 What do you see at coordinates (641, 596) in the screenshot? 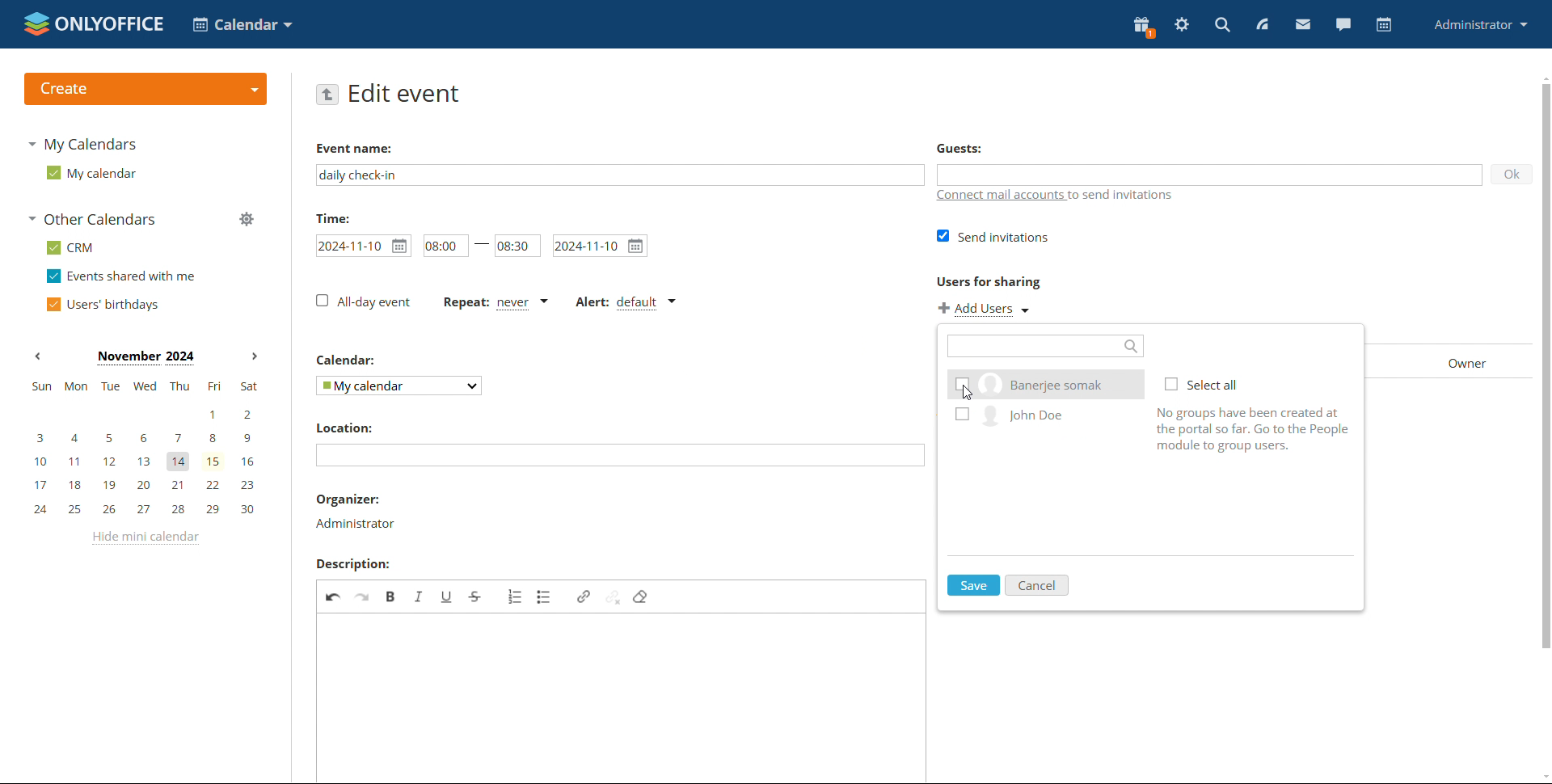
I see `remove format` at bounding box center [641, 596].